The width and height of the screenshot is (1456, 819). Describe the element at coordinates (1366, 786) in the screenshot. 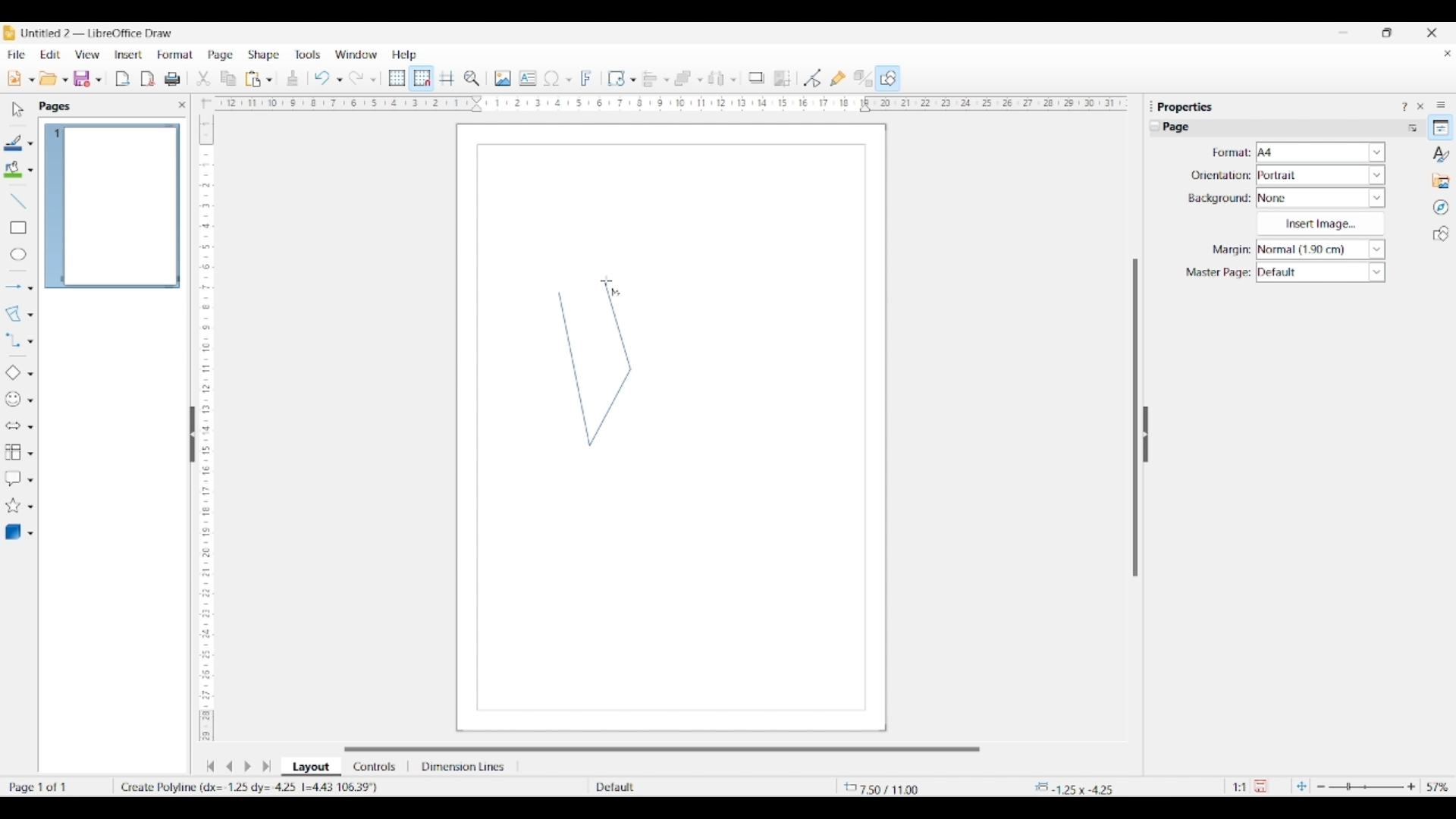

I see `Slider to change zoom in/out` at that location.